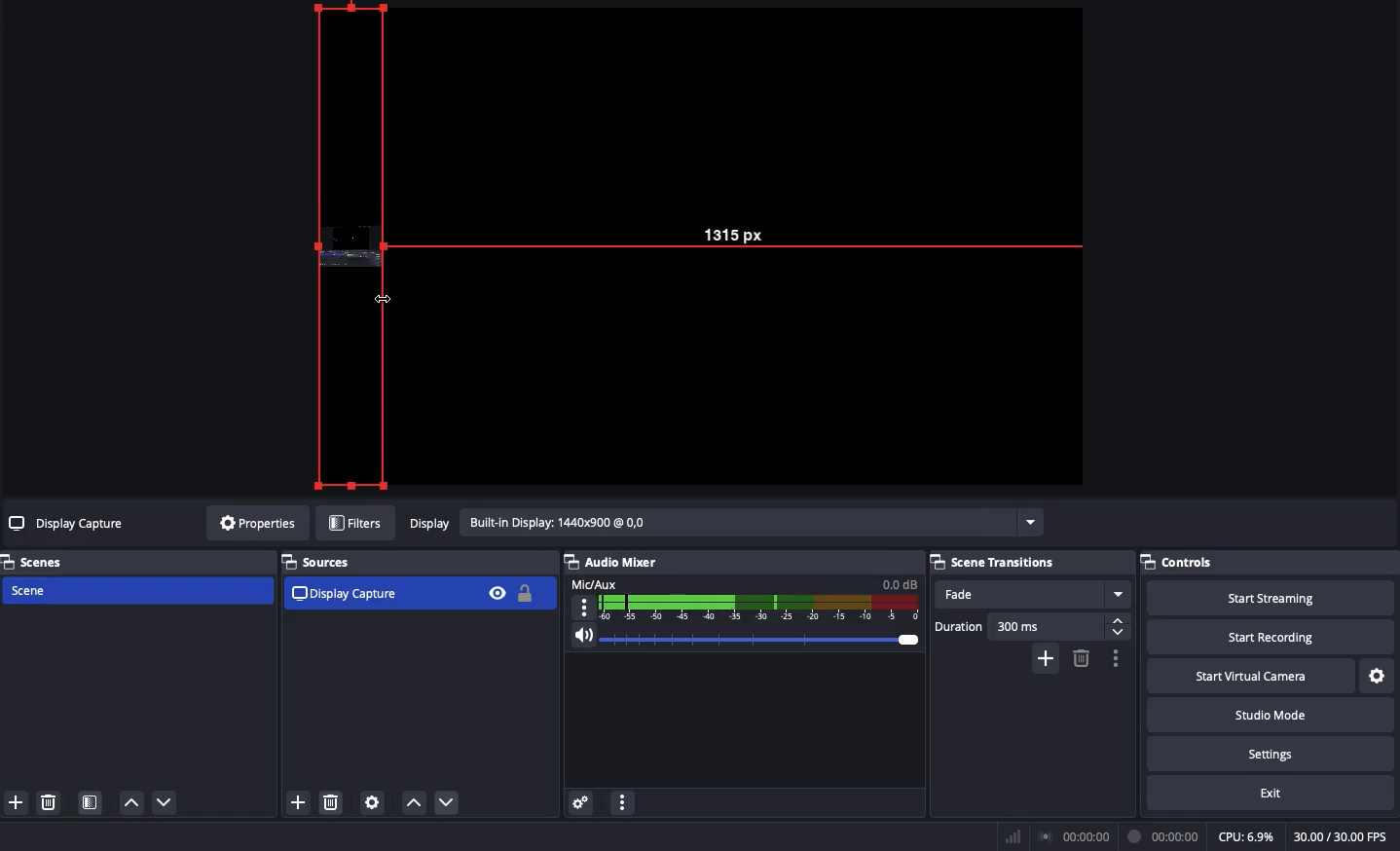 The height and width of the screenshot is (851, 1400). Describe the element at coordinates (1272, 596) in the screenshot. I see `Start streaming` at that location.